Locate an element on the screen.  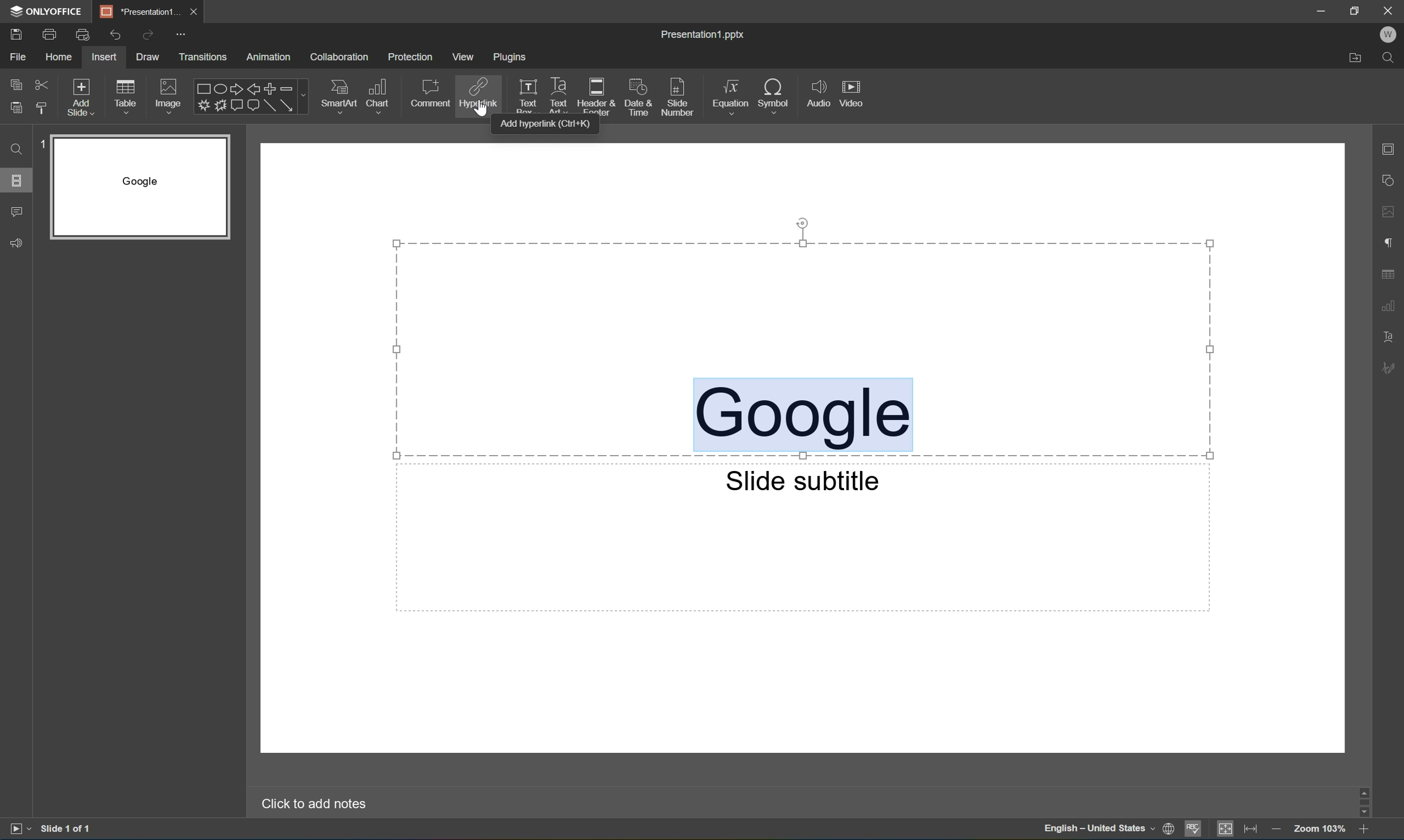
Slides is located at coordinates (16, 179).